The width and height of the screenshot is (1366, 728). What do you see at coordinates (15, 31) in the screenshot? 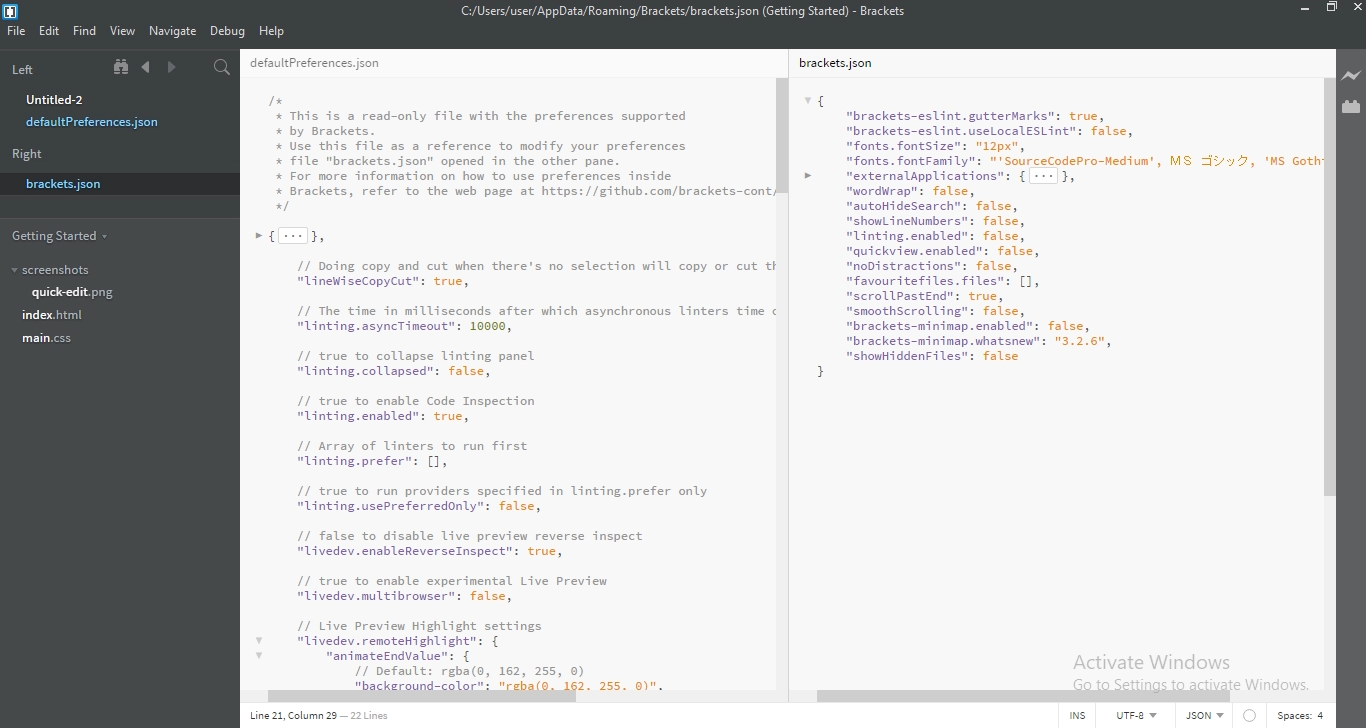
I see `file` at bounding box center [15, 31].